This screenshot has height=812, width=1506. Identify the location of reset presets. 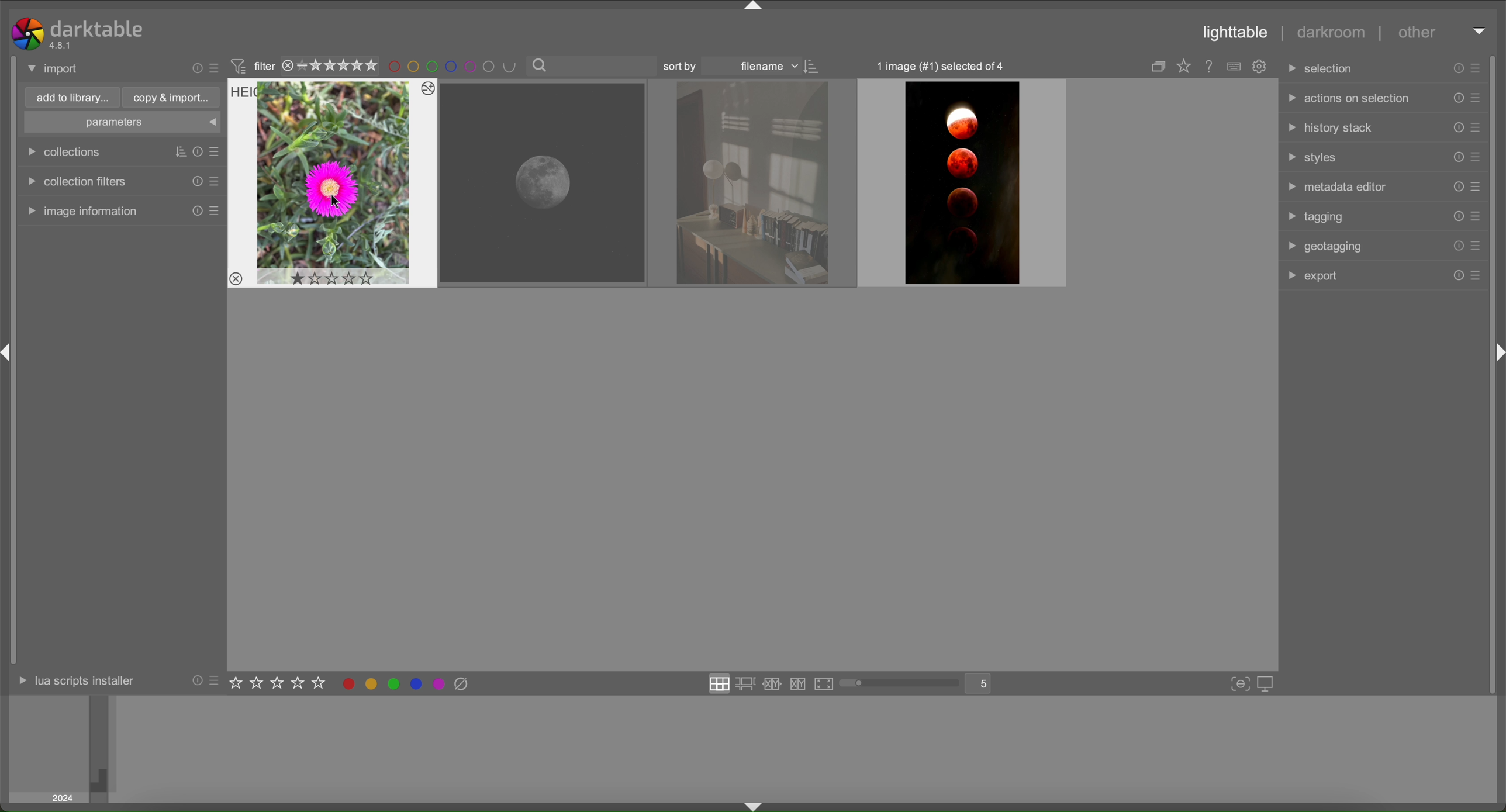
(1456, 97).